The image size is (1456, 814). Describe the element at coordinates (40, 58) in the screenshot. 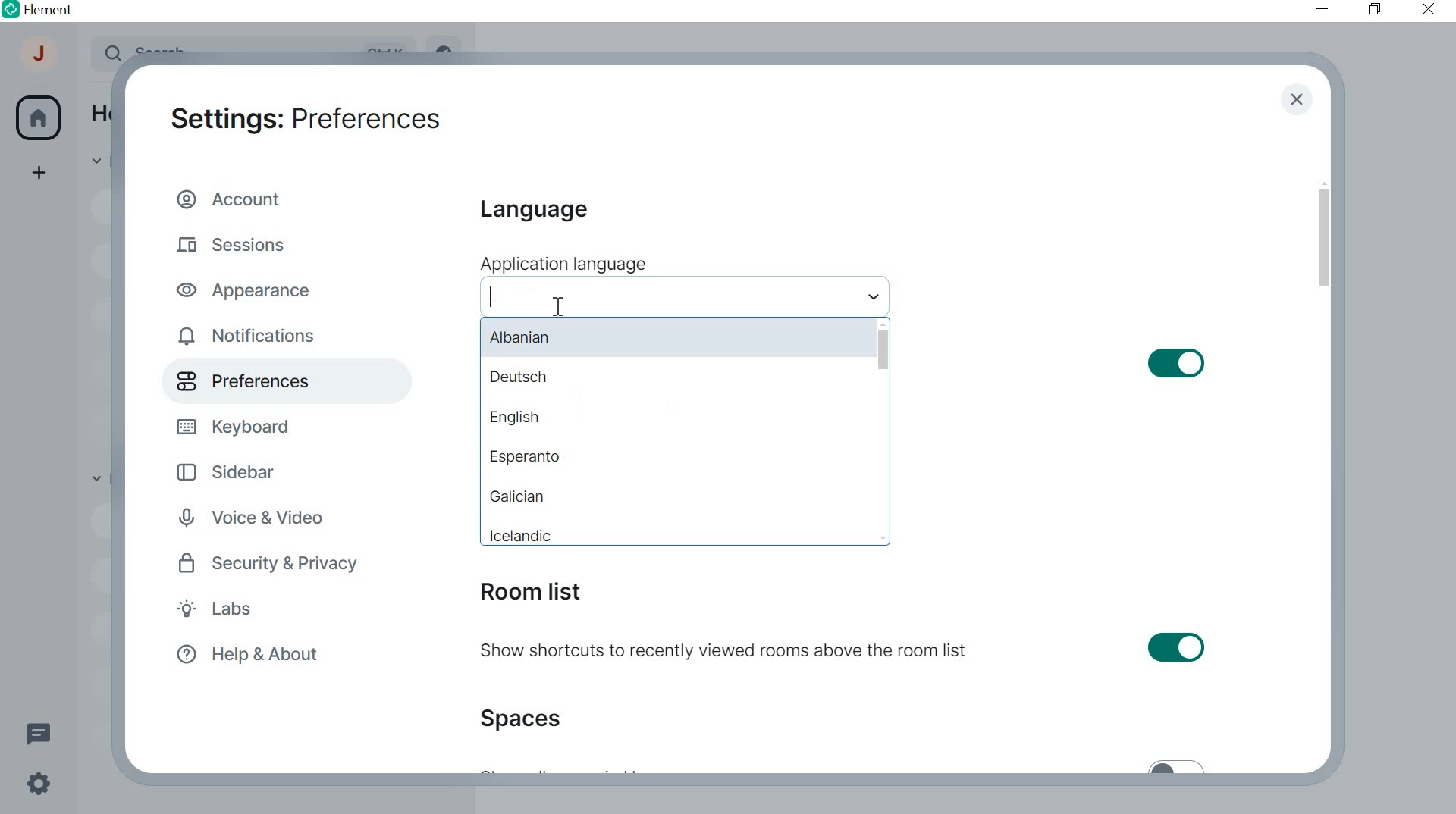

I see `ACCOUNT` at that location.